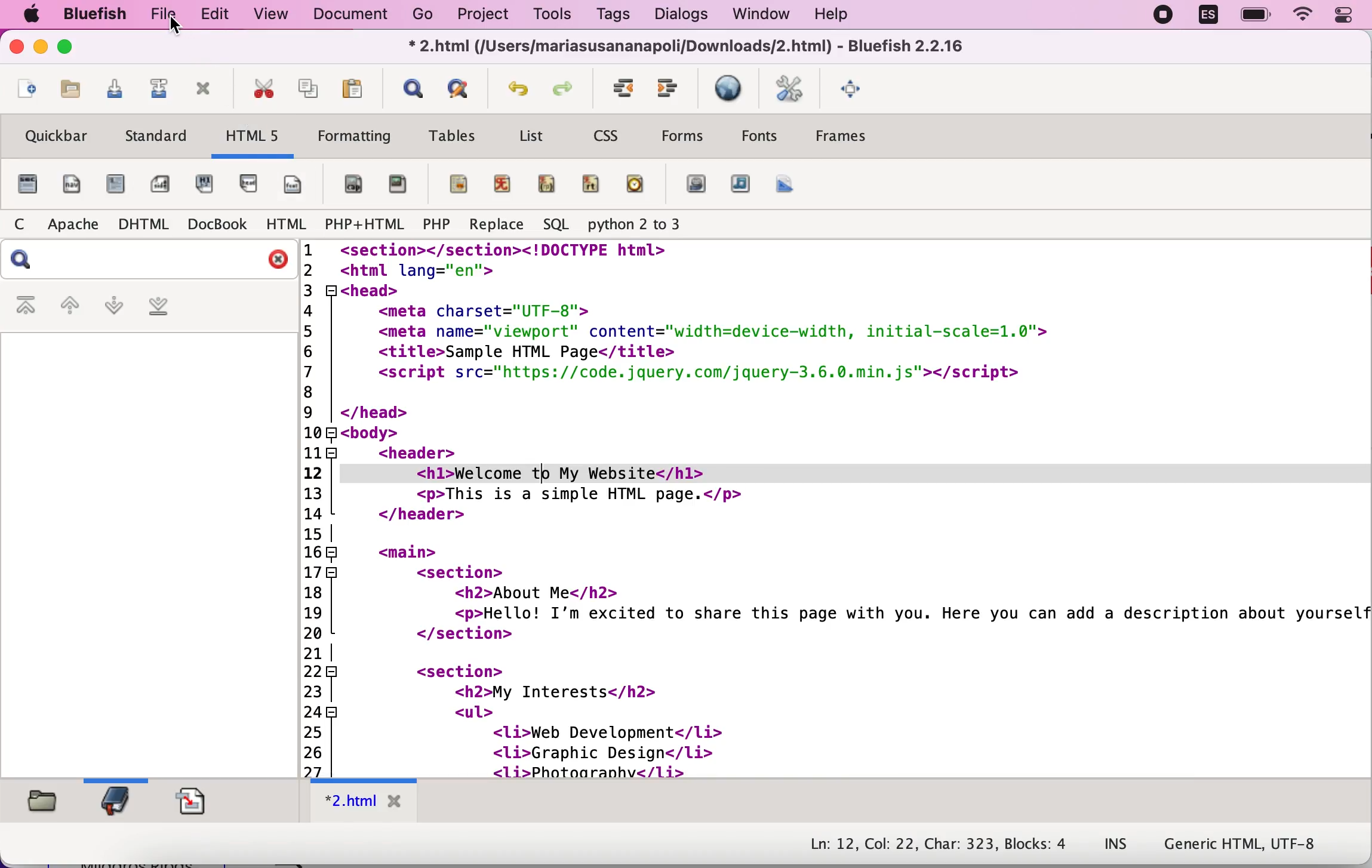  What do you see at coordinates (168, 307) in the screenshot?
I see `last bookmark` at bounding box center [168, 307].